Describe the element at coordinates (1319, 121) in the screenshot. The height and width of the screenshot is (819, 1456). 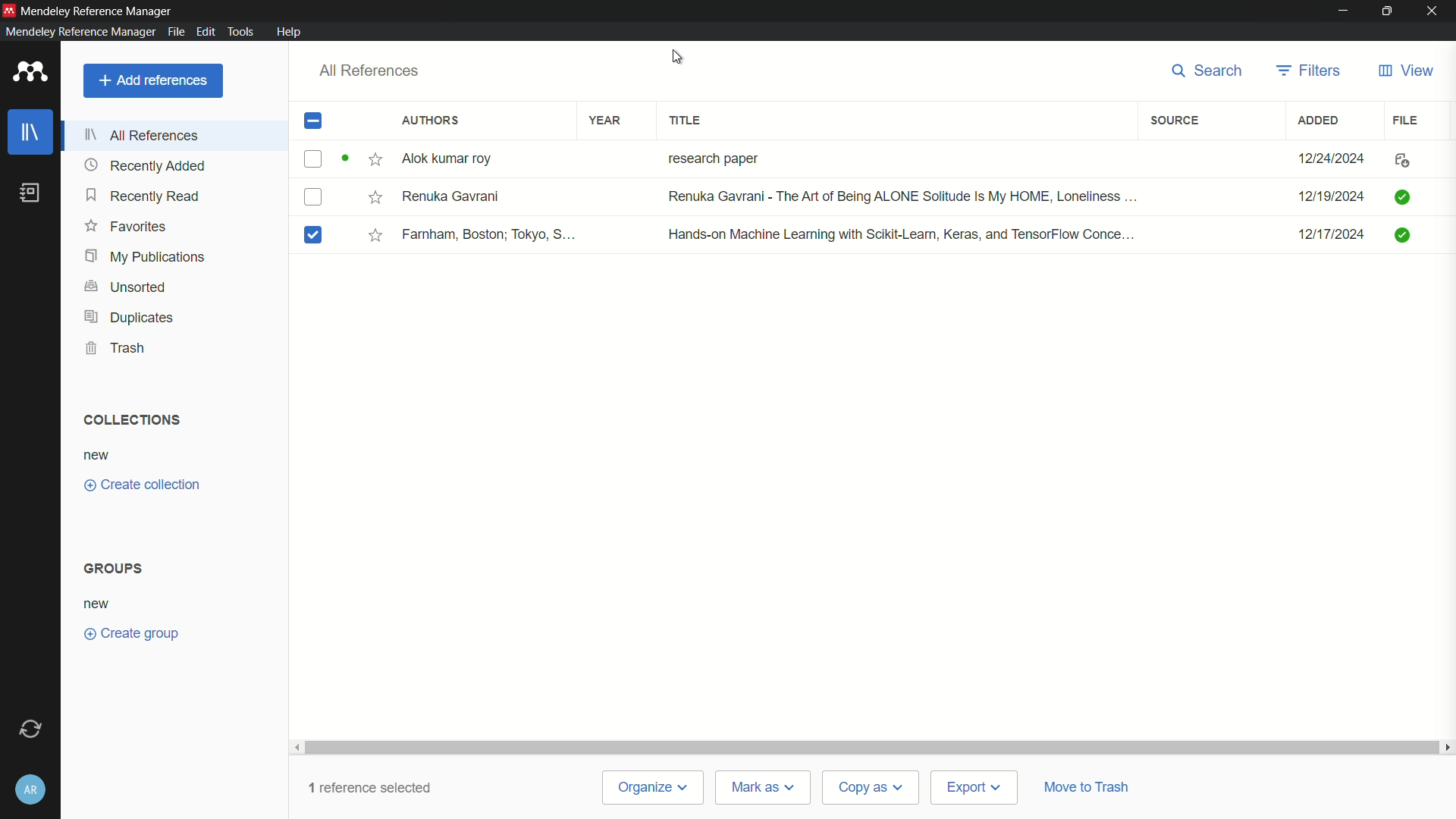
I see `added` at that location.